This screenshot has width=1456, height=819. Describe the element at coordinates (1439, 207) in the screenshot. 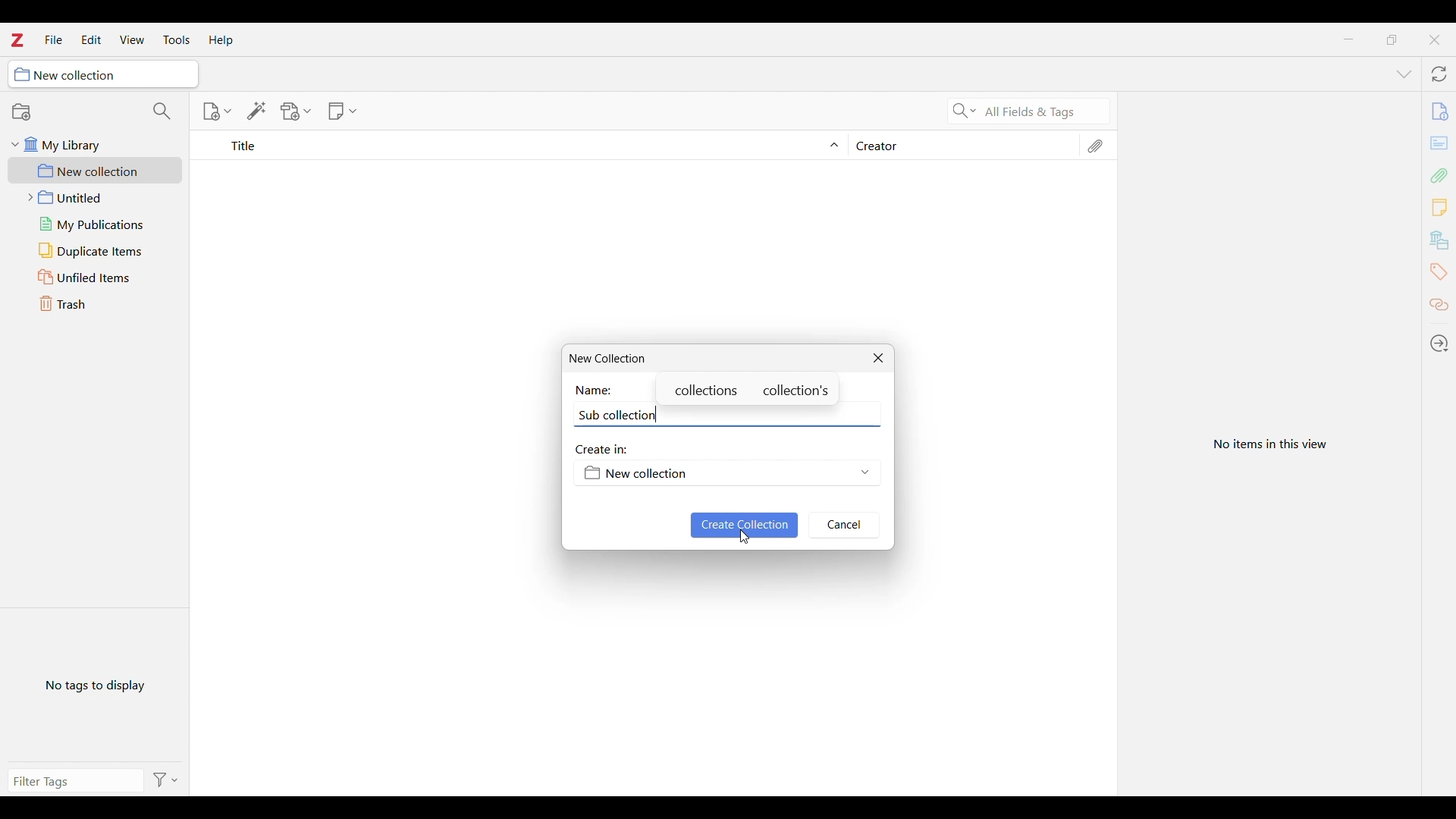

I see `Add new note` at that location.